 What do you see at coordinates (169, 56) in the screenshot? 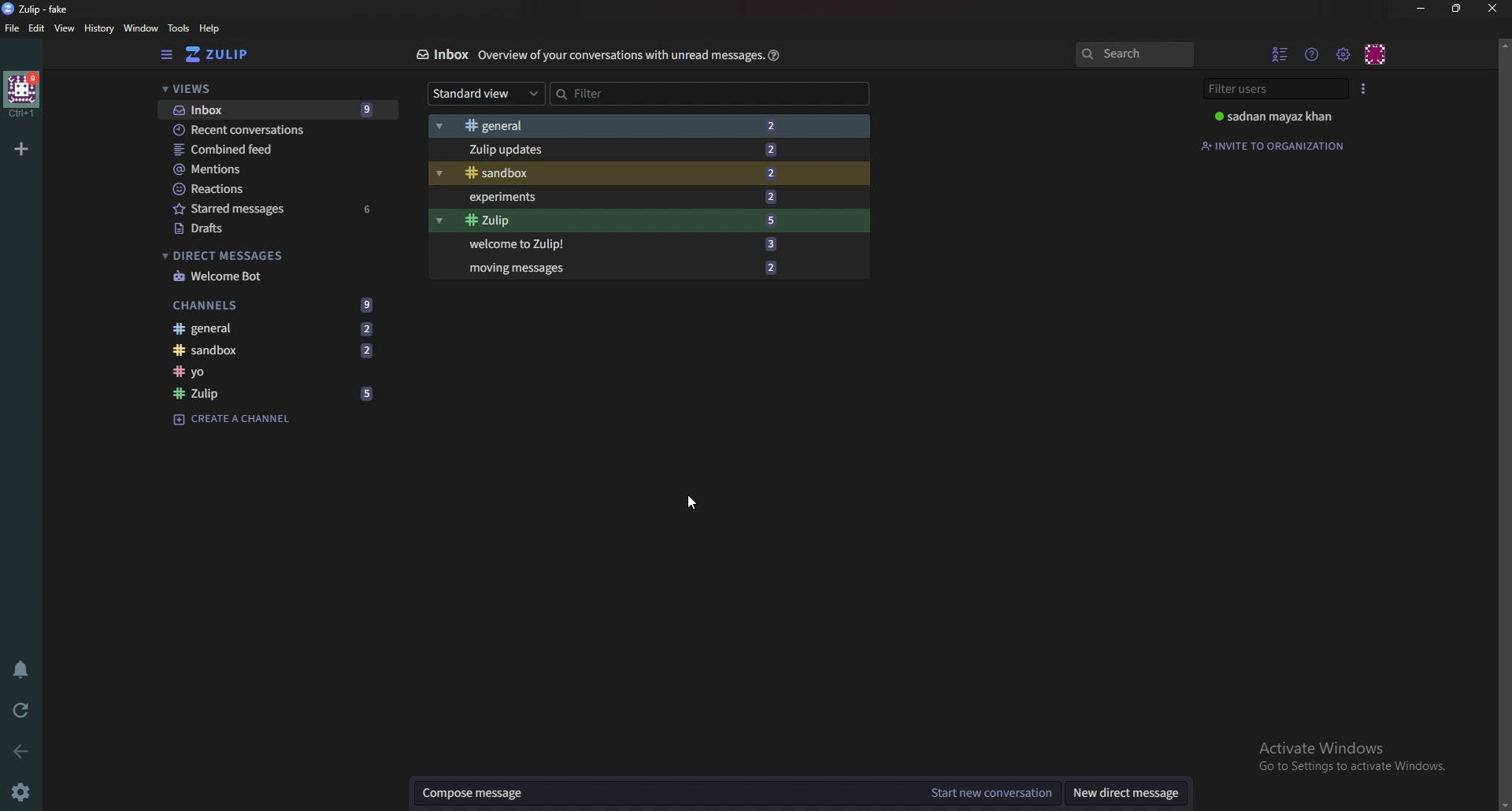
I see `Hide side bar` at bounding box center [169, 56].